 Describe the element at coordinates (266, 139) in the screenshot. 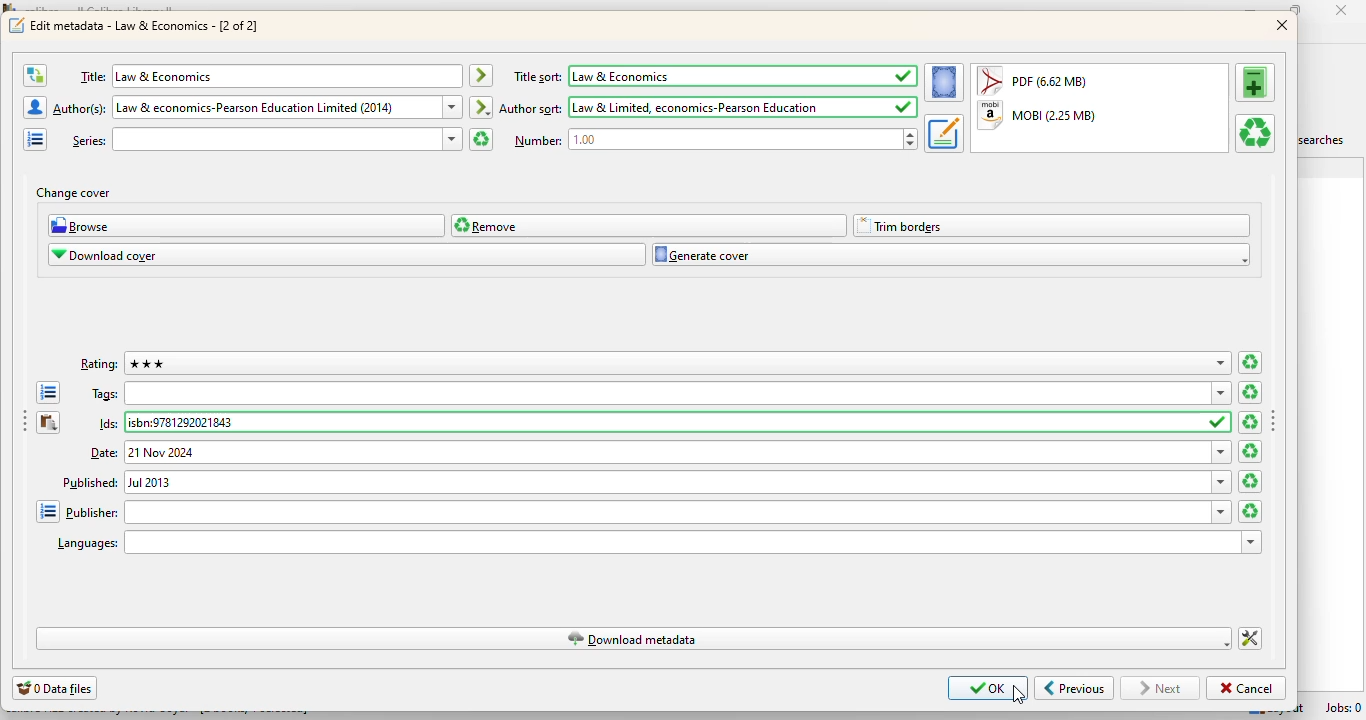

I see `series: ` at that location.